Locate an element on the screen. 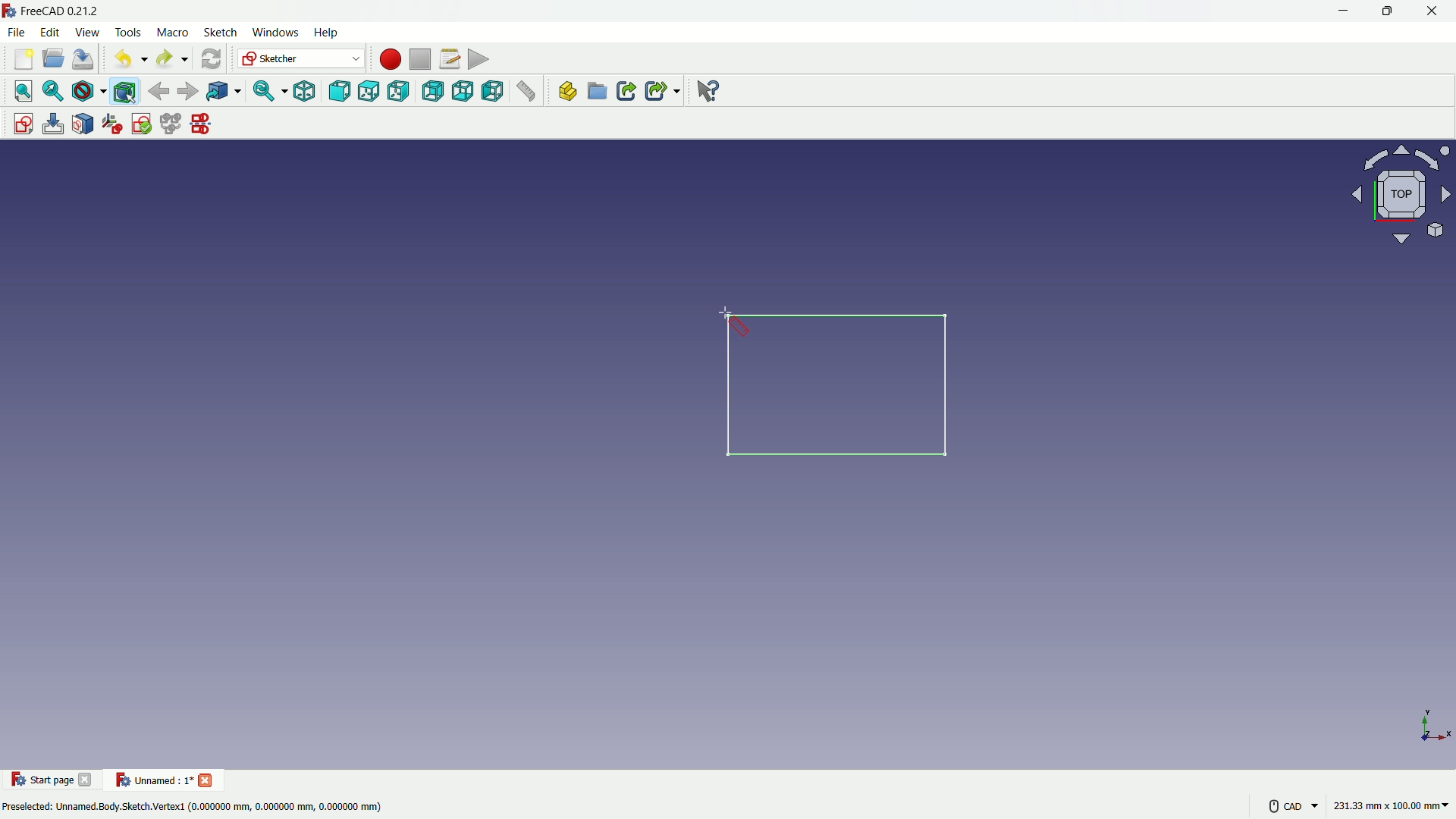 The image size is (1456, 819). cursor is located at coordinates (736, 322).